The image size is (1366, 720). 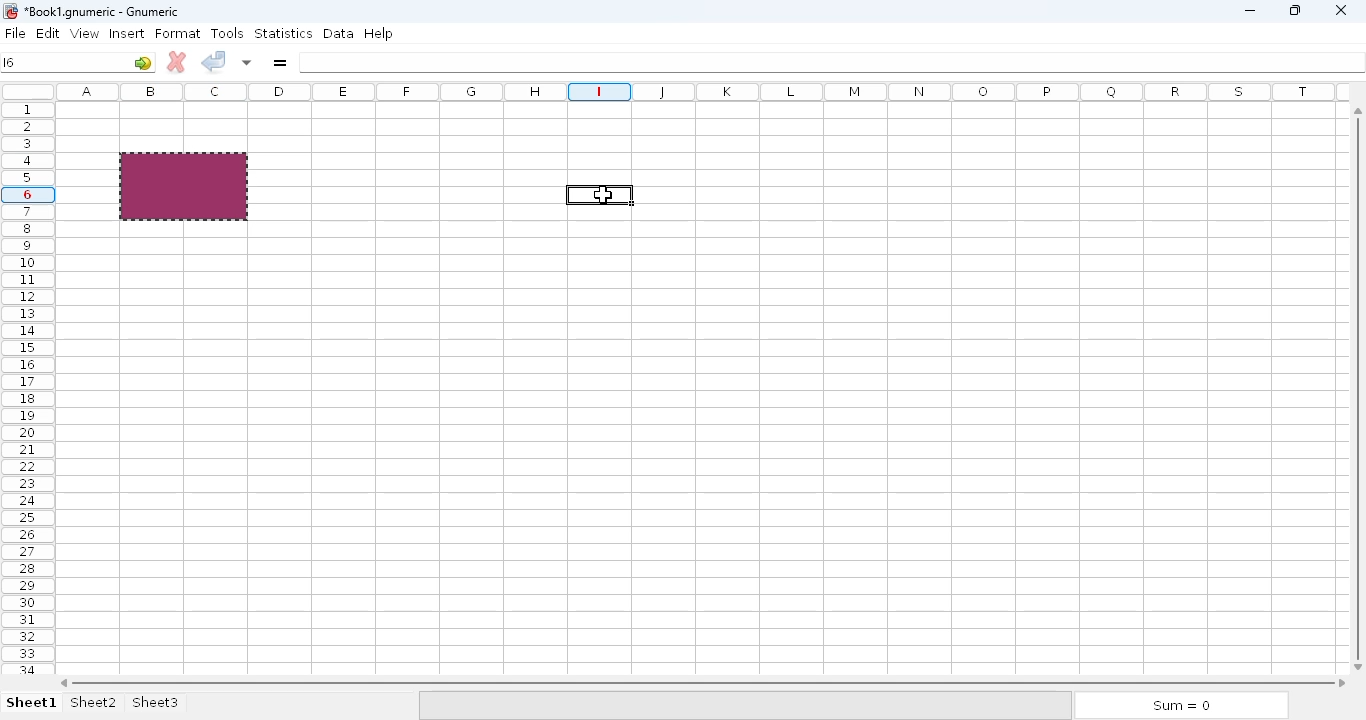 I want to click on data, so click(x=338, y=33).